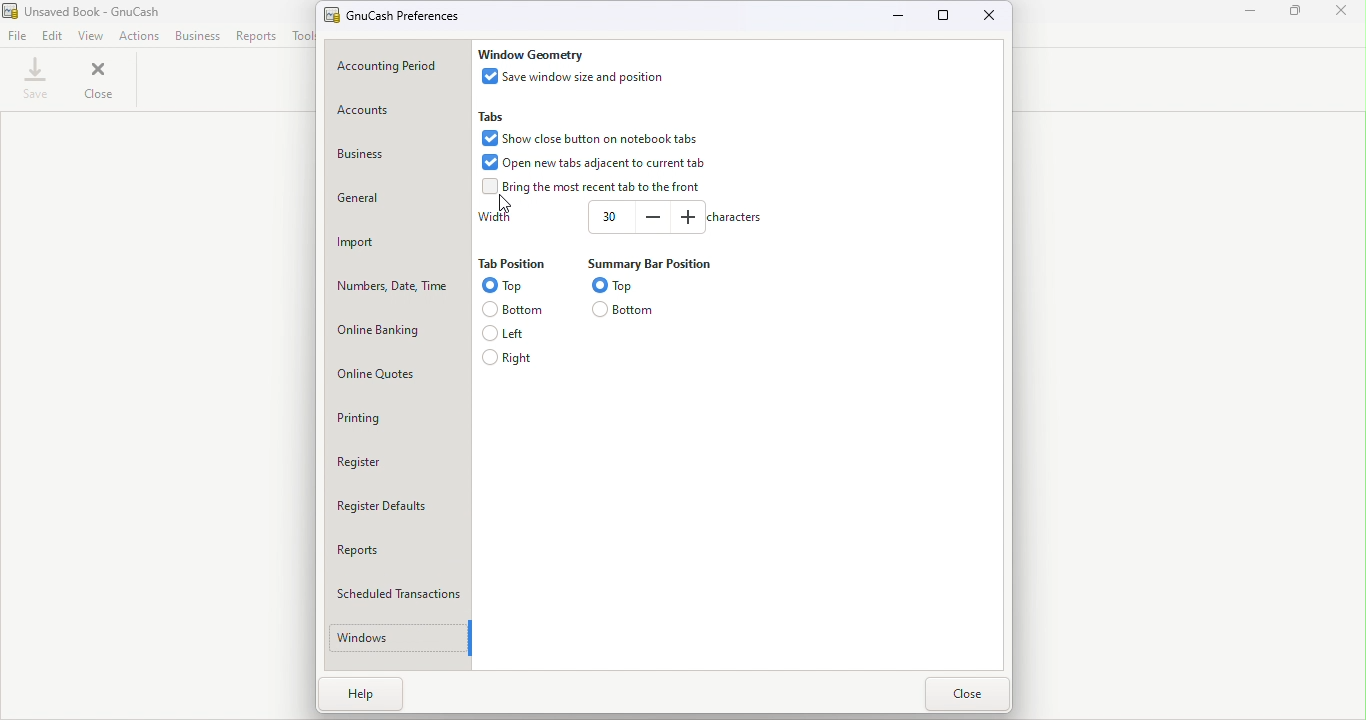 This screenshot has height=720, width=1366. Describe the element at coordinates (595, 187) in the screenshot. I see `Bring the most recent tab to the front` at that location.